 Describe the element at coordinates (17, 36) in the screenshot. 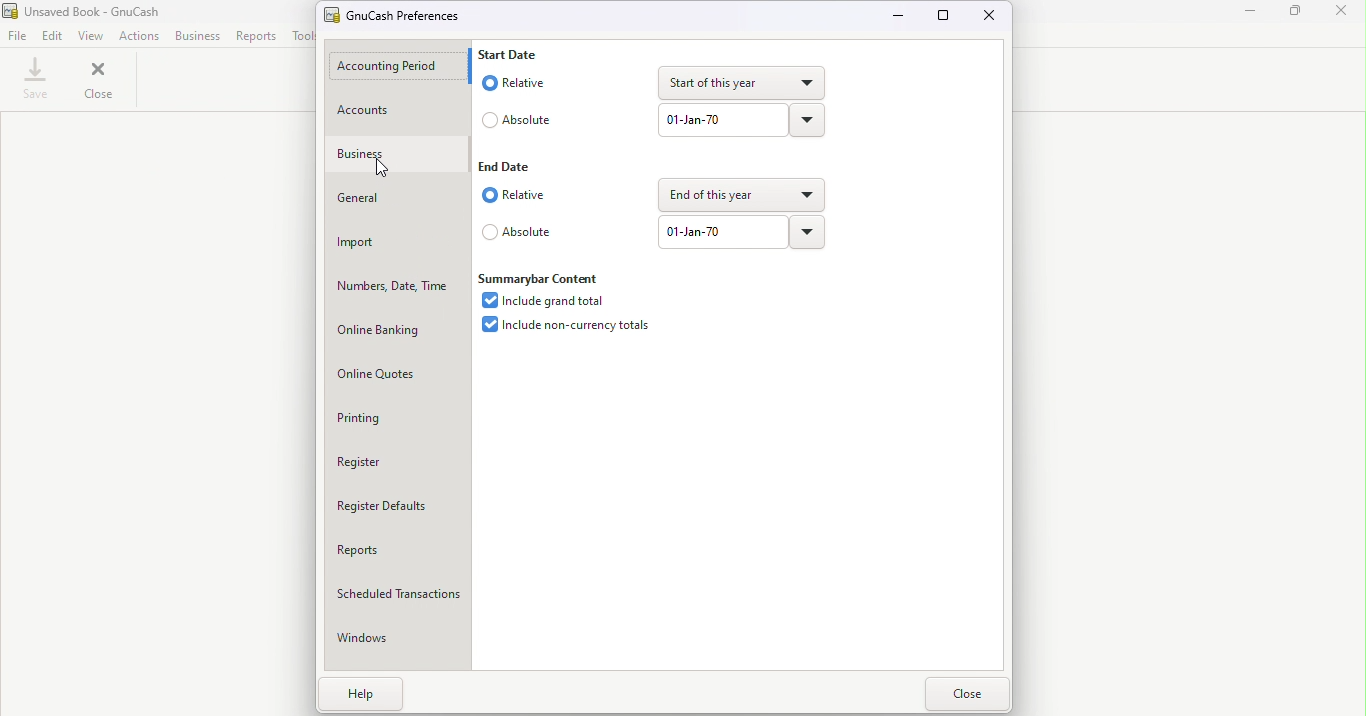

I see `File` at that location.